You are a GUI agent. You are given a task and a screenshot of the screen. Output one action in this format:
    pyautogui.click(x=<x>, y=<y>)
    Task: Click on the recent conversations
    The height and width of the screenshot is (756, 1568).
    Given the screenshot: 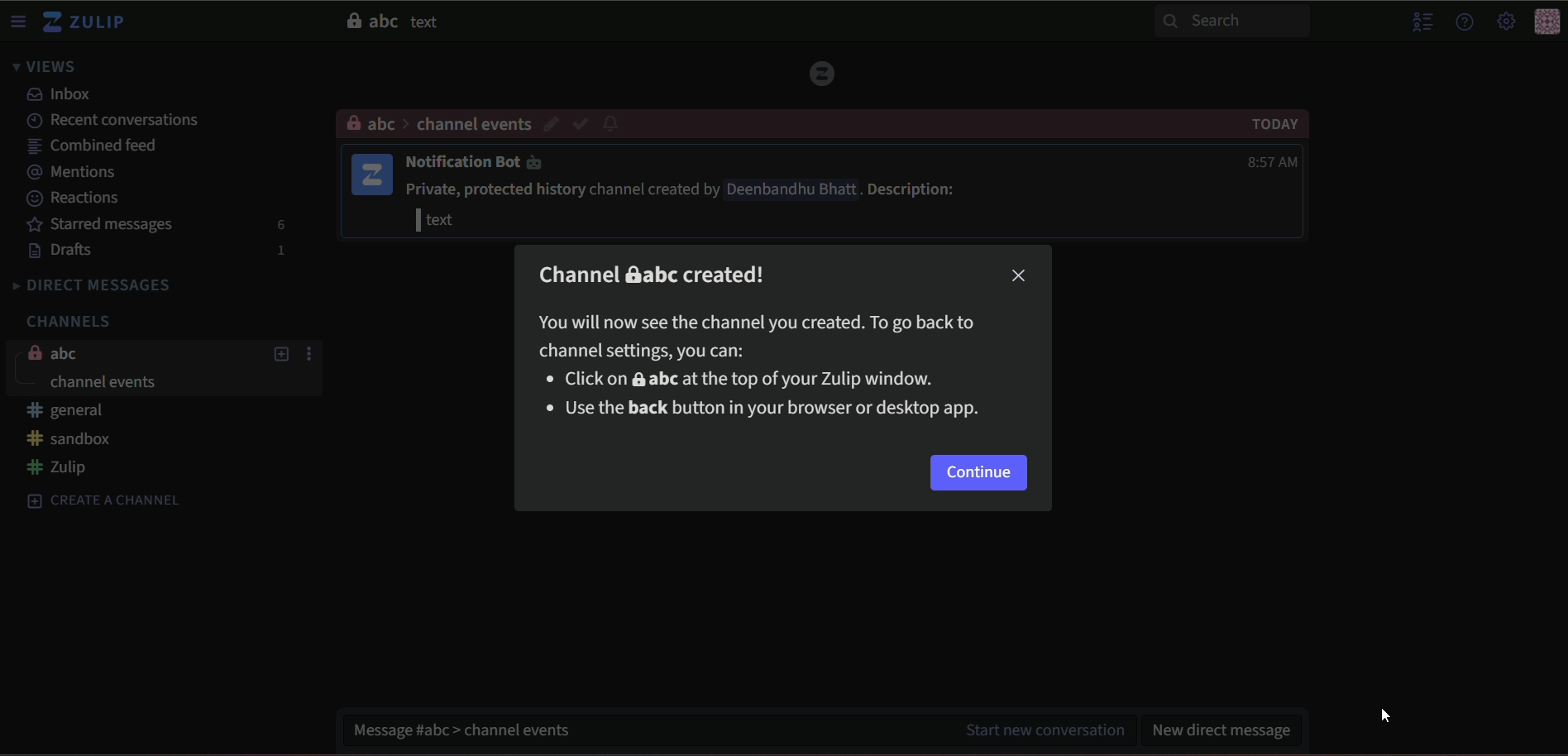 What is the action you would take?
    pyautogui.click(x=120, y=121)
    